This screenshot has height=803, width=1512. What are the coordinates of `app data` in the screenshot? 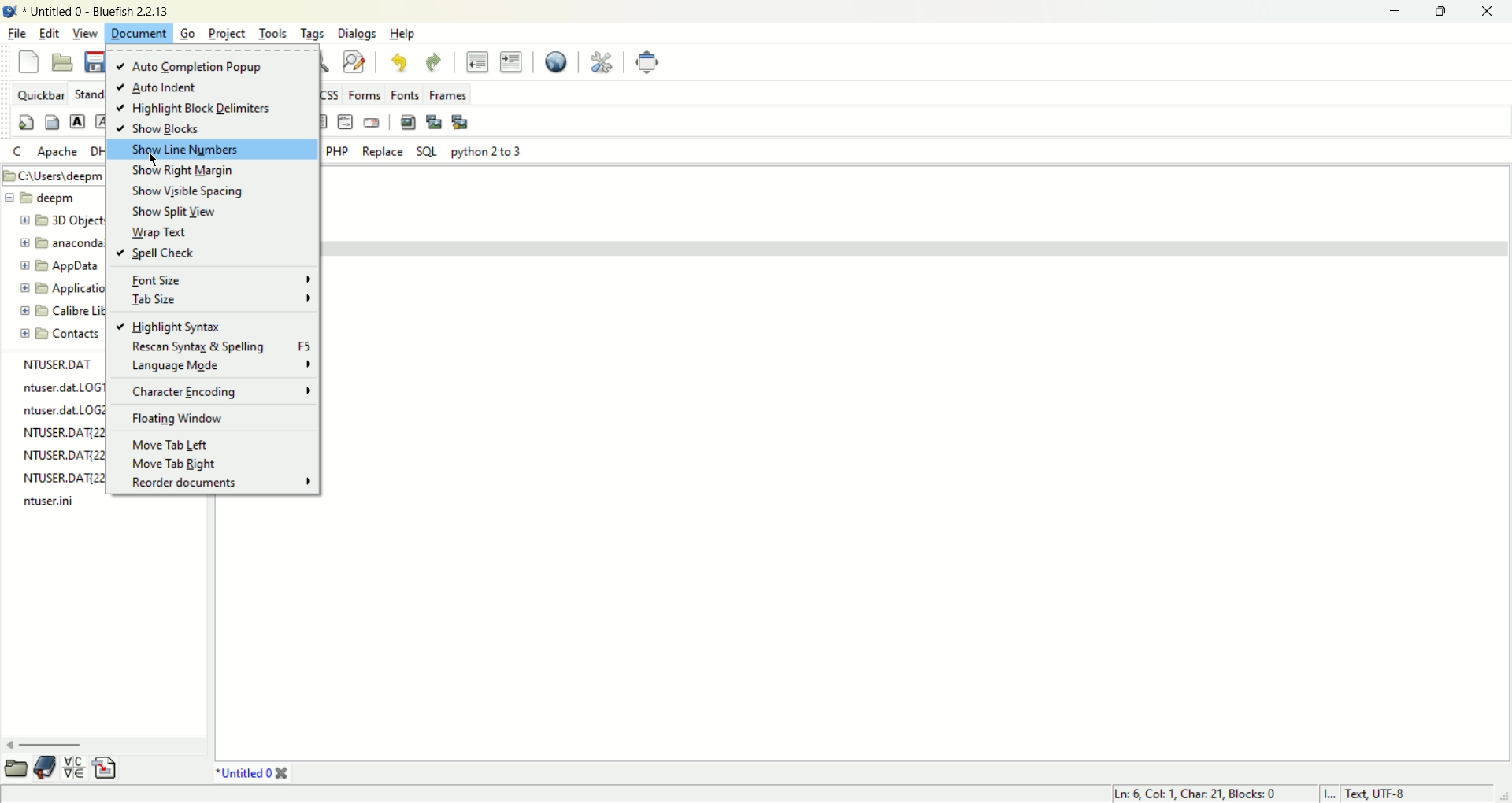 It's located at (60, 266).